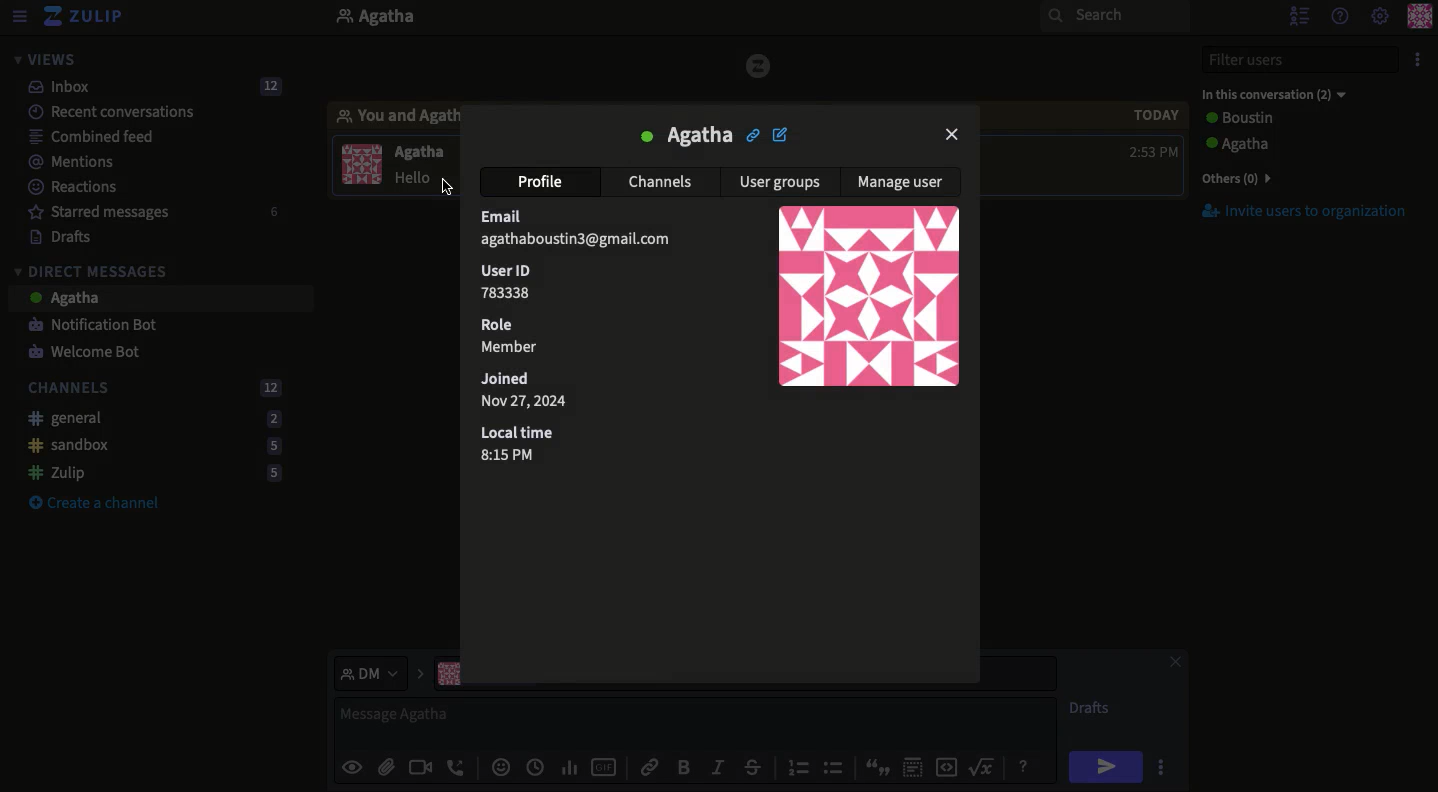  Describe the element at coordinates (716, 766) in the screenshot. I see `Italics` at that location.